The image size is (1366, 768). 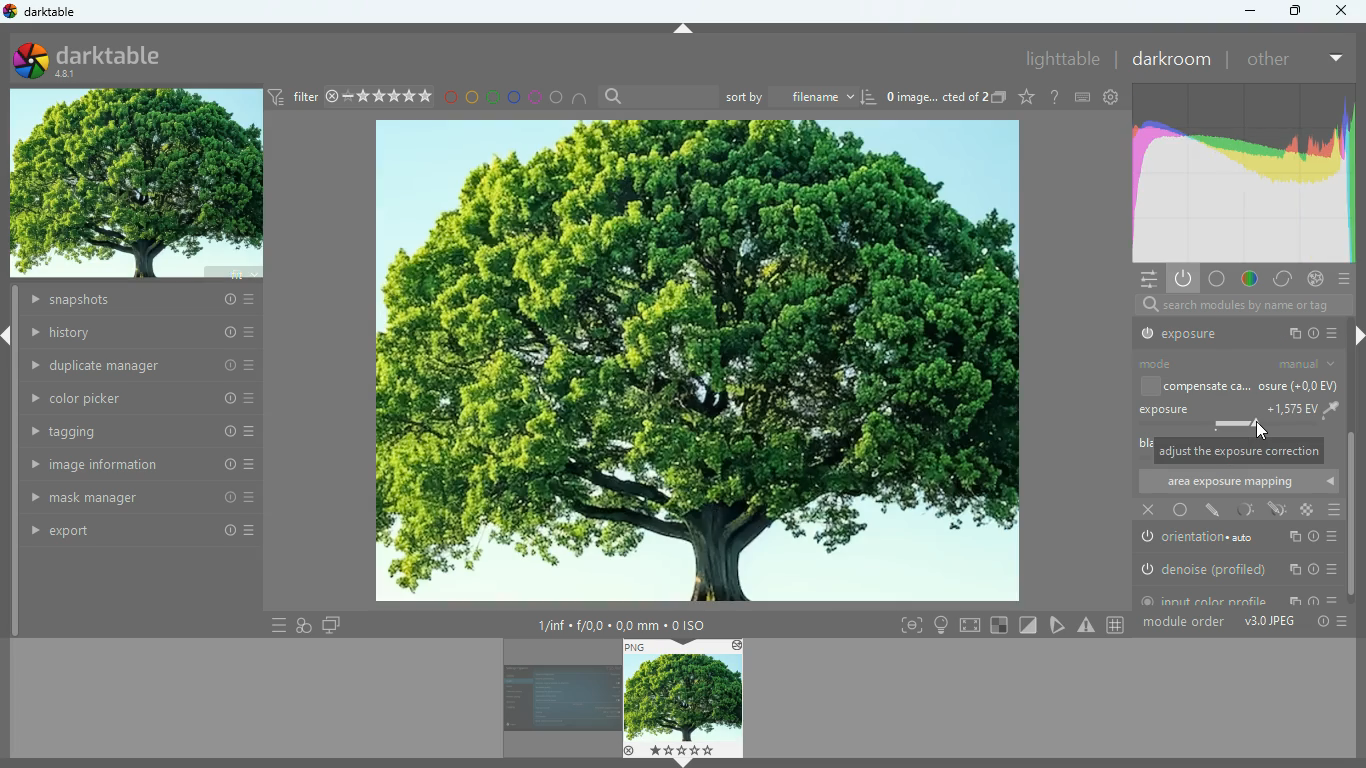 What do you see at coordinates (1185, 622) in the screenshot?
I see `module order` at bounding box center [1185, 622].